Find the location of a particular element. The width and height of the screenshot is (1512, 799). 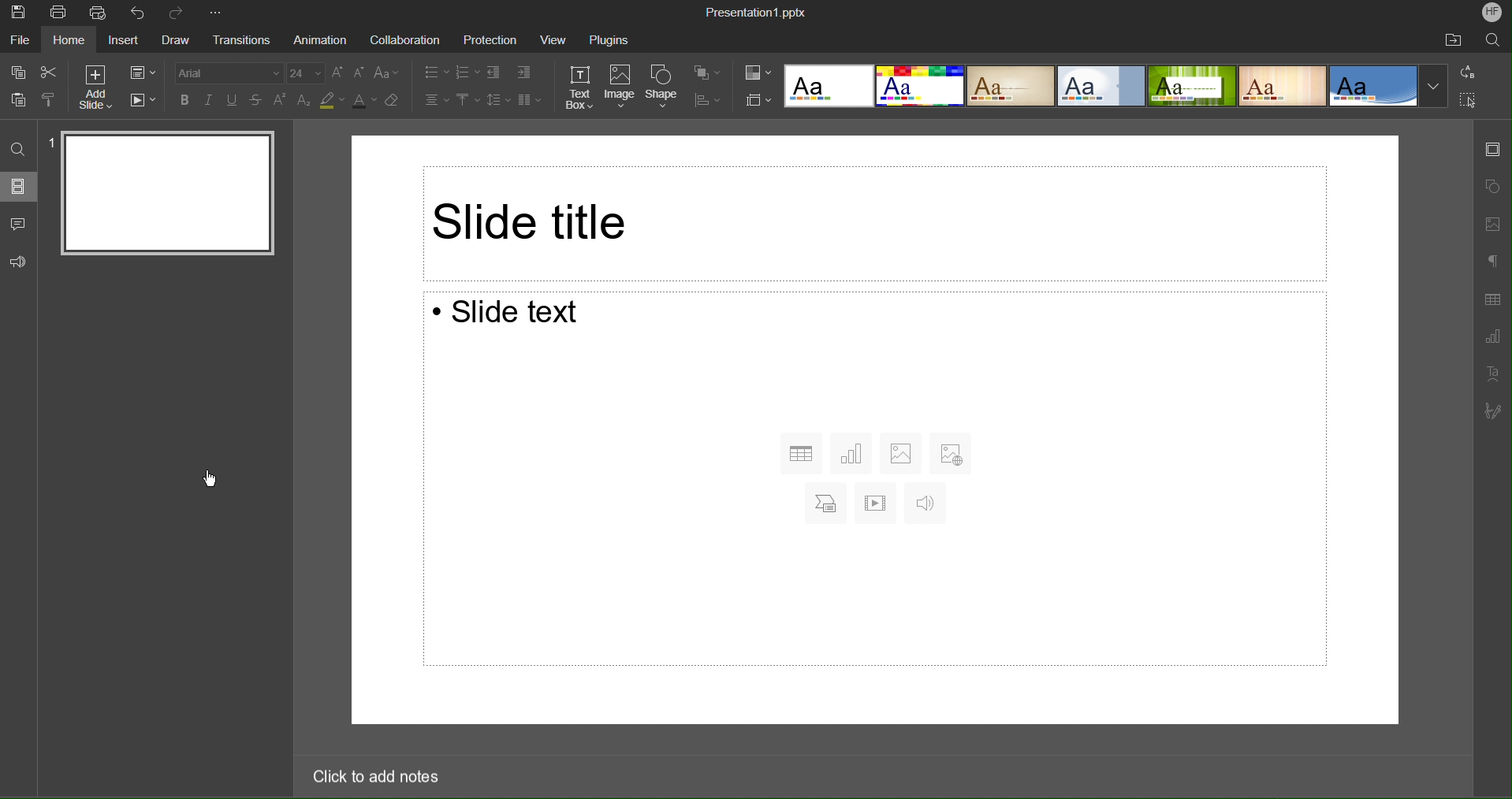

Search is located at coordinates (1494, 41).